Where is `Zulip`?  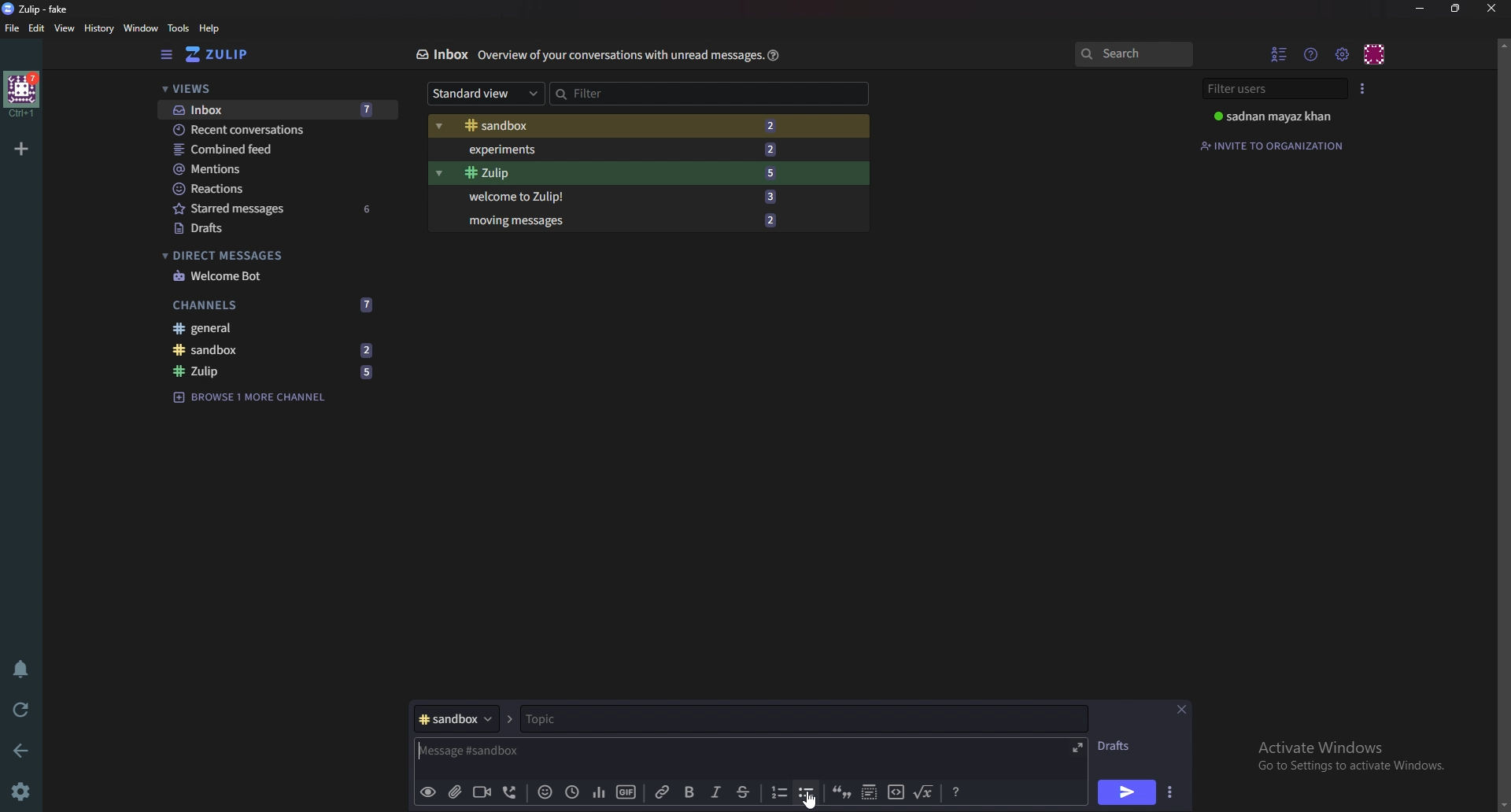
Zulip is located at coordinates (618, 173).